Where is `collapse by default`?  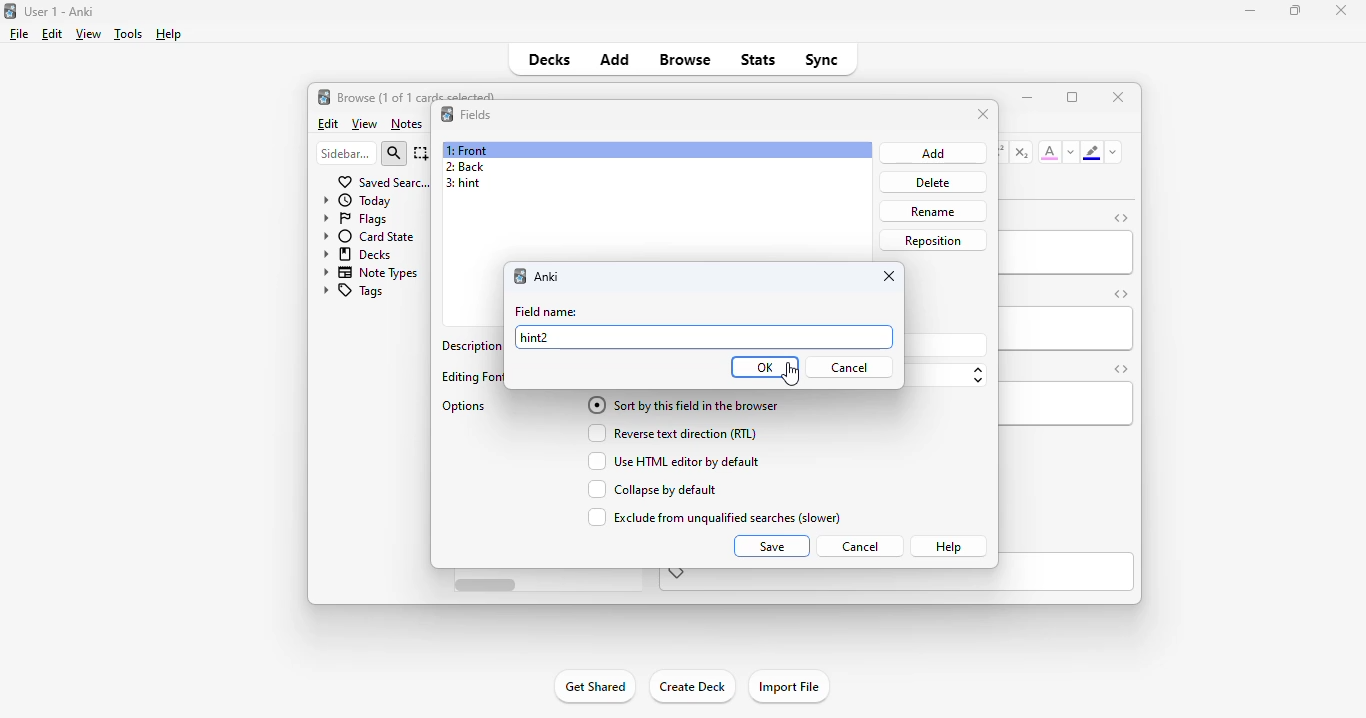
collapse by default is located at coordinates (651, 489).